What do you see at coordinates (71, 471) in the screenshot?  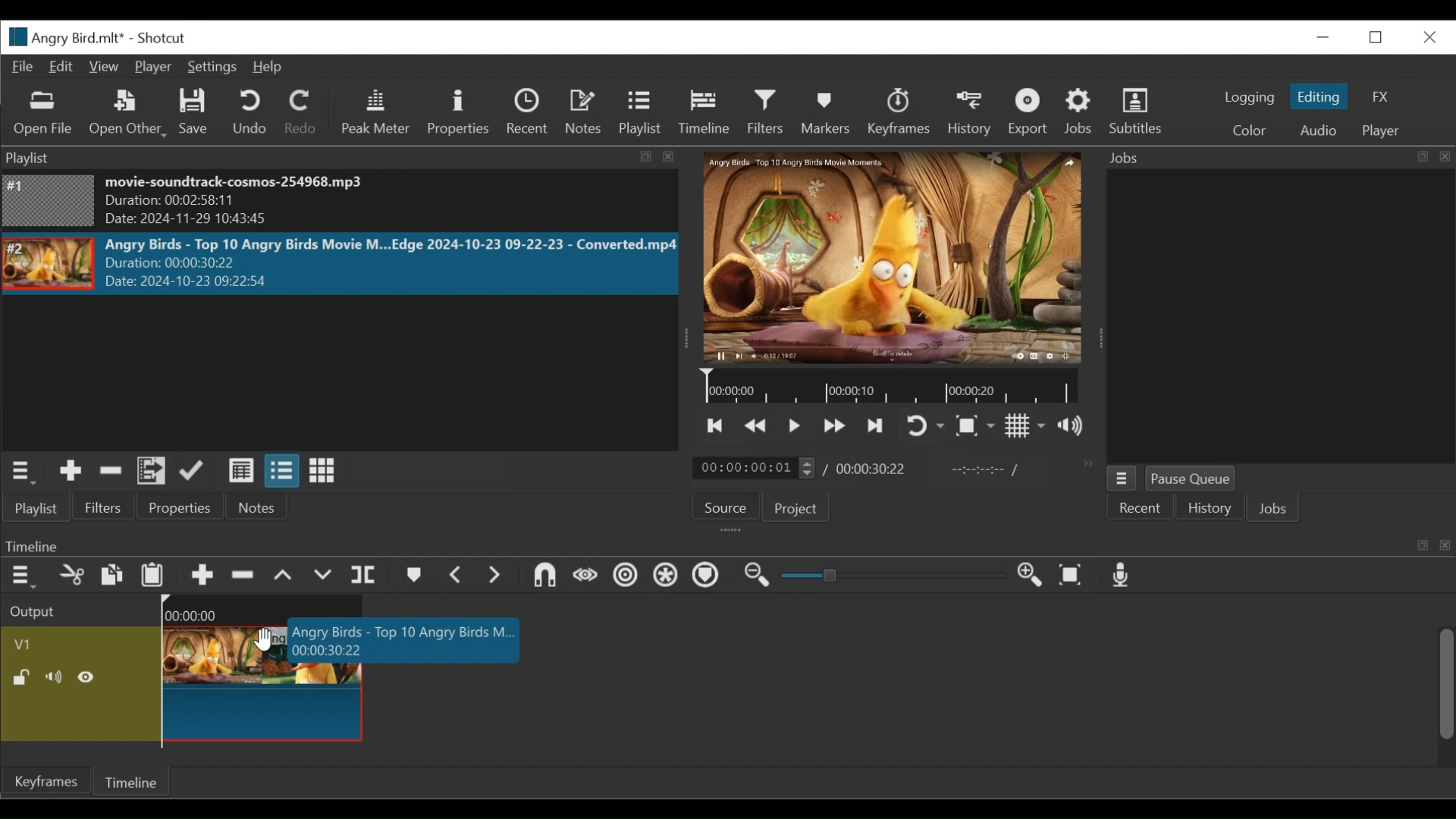 I see `Add the source to the playlist` at bounding box center [71, 471].